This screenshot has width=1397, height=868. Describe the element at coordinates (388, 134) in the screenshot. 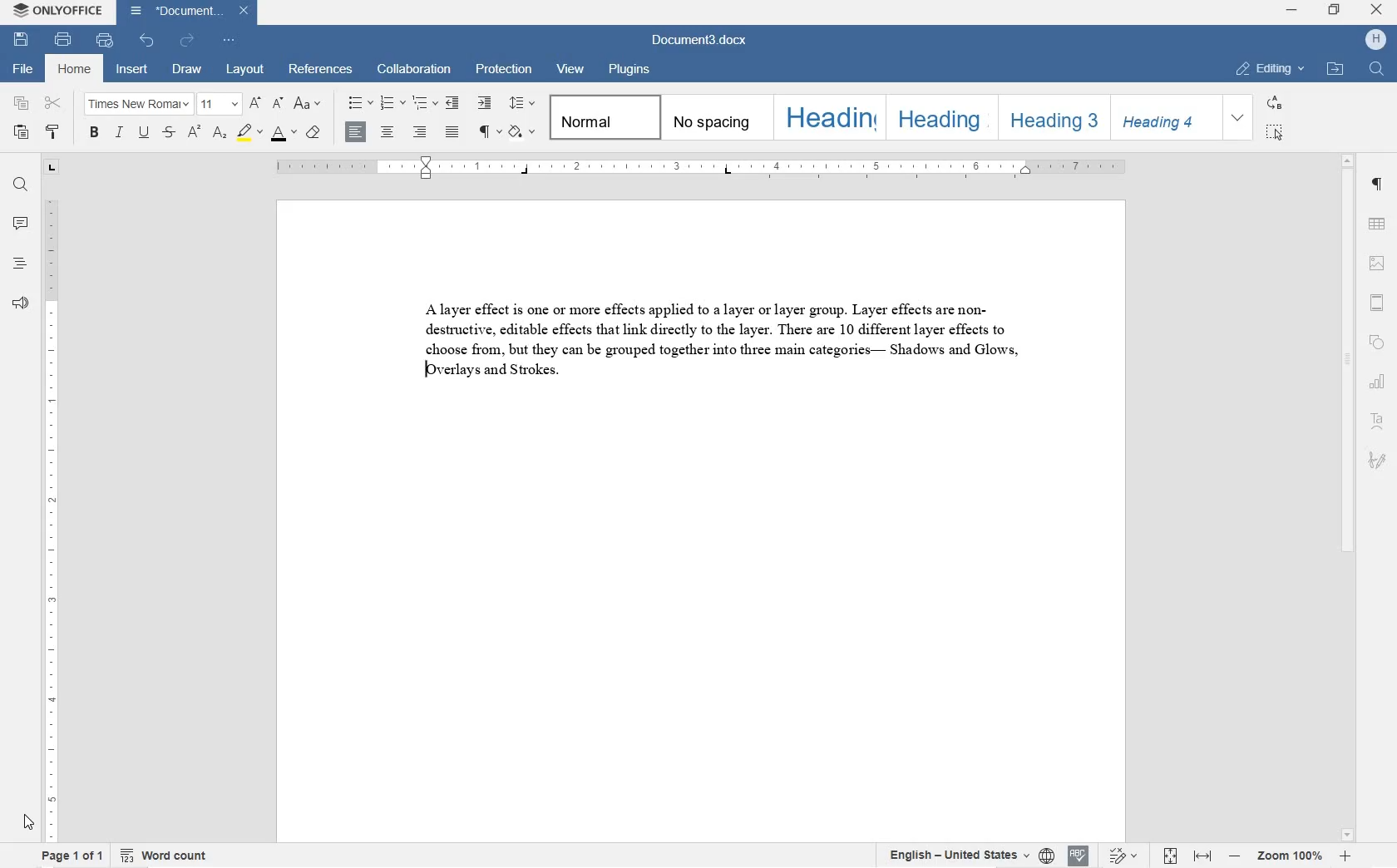

I see `CENTER ALIGNMENT` at that location.